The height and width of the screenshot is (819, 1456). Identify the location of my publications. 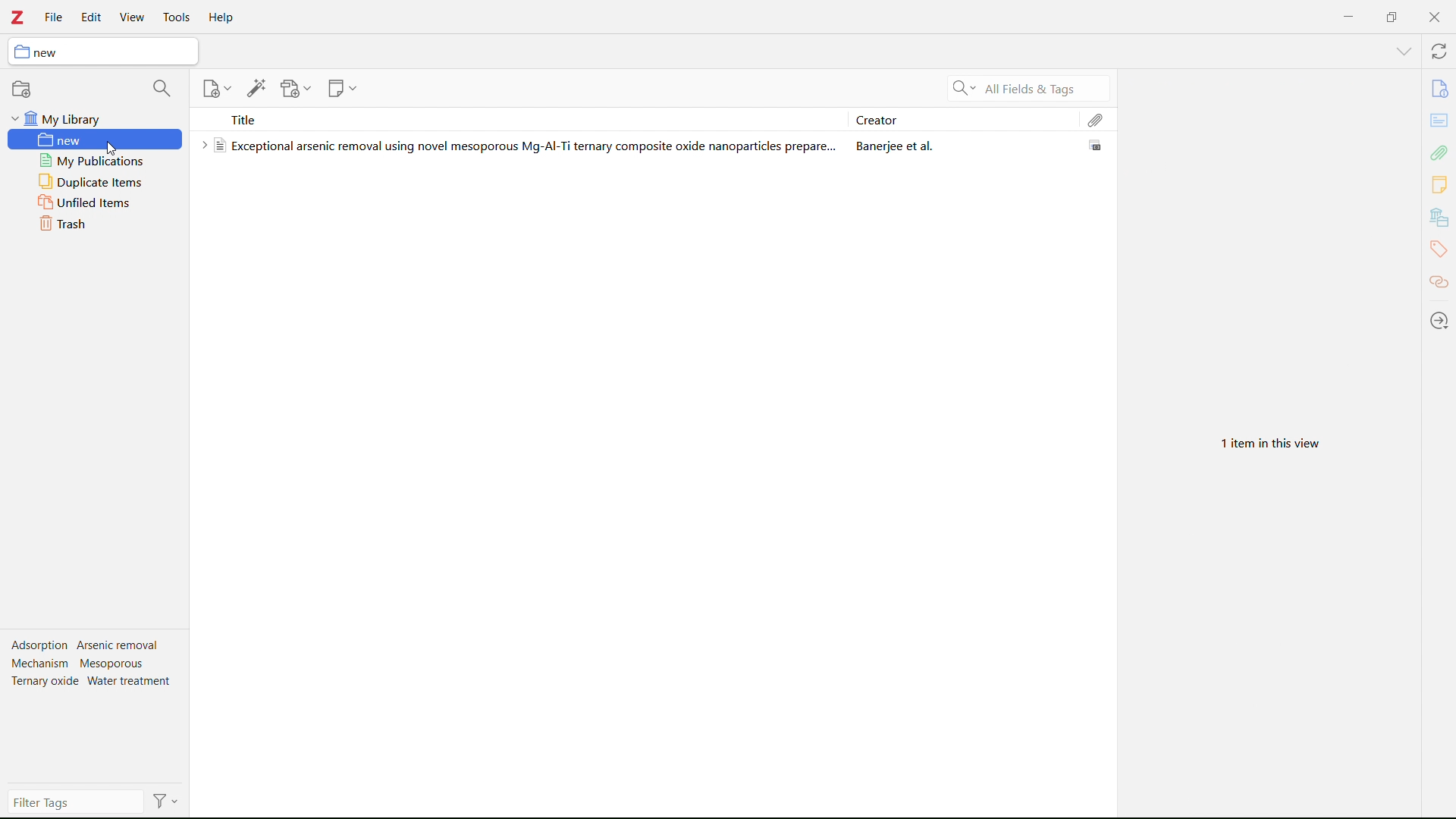
(96, 161).